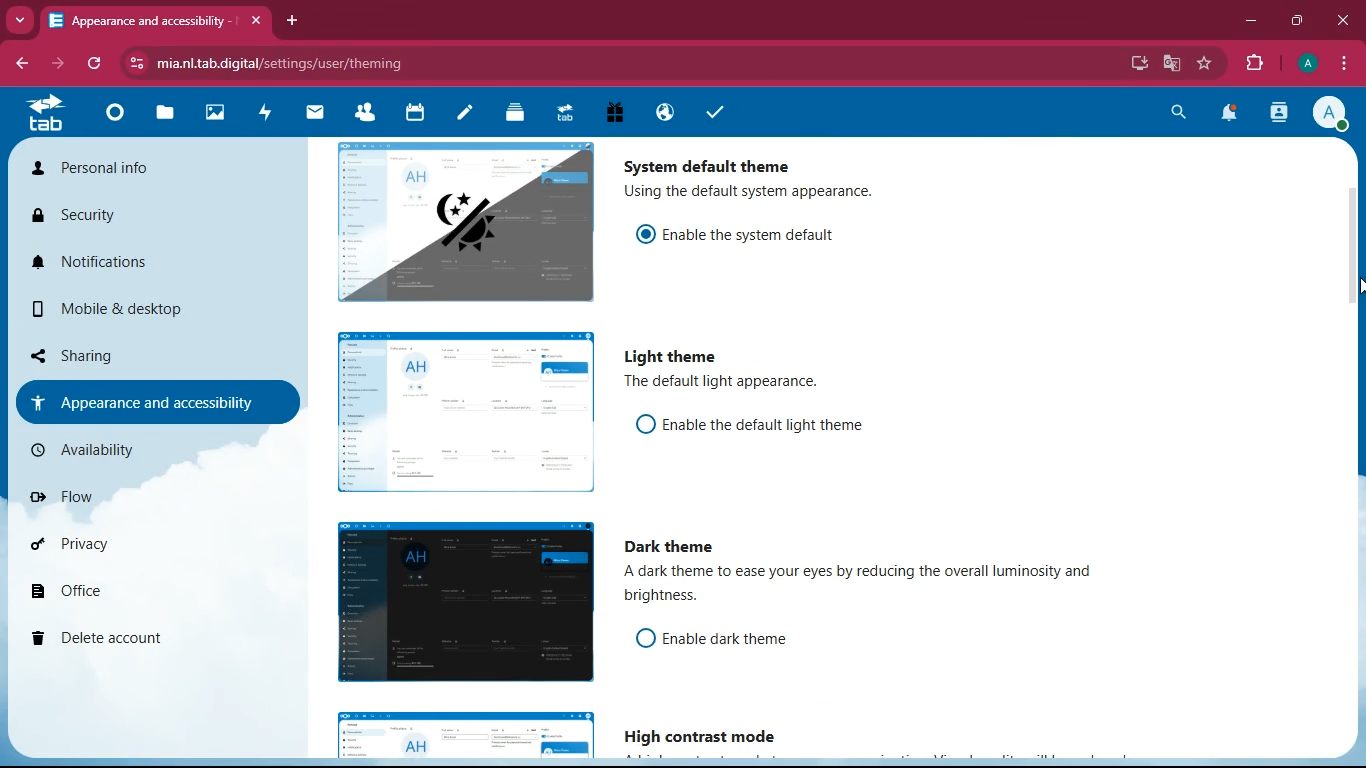  I want to click on delete account, so click(126, 640).